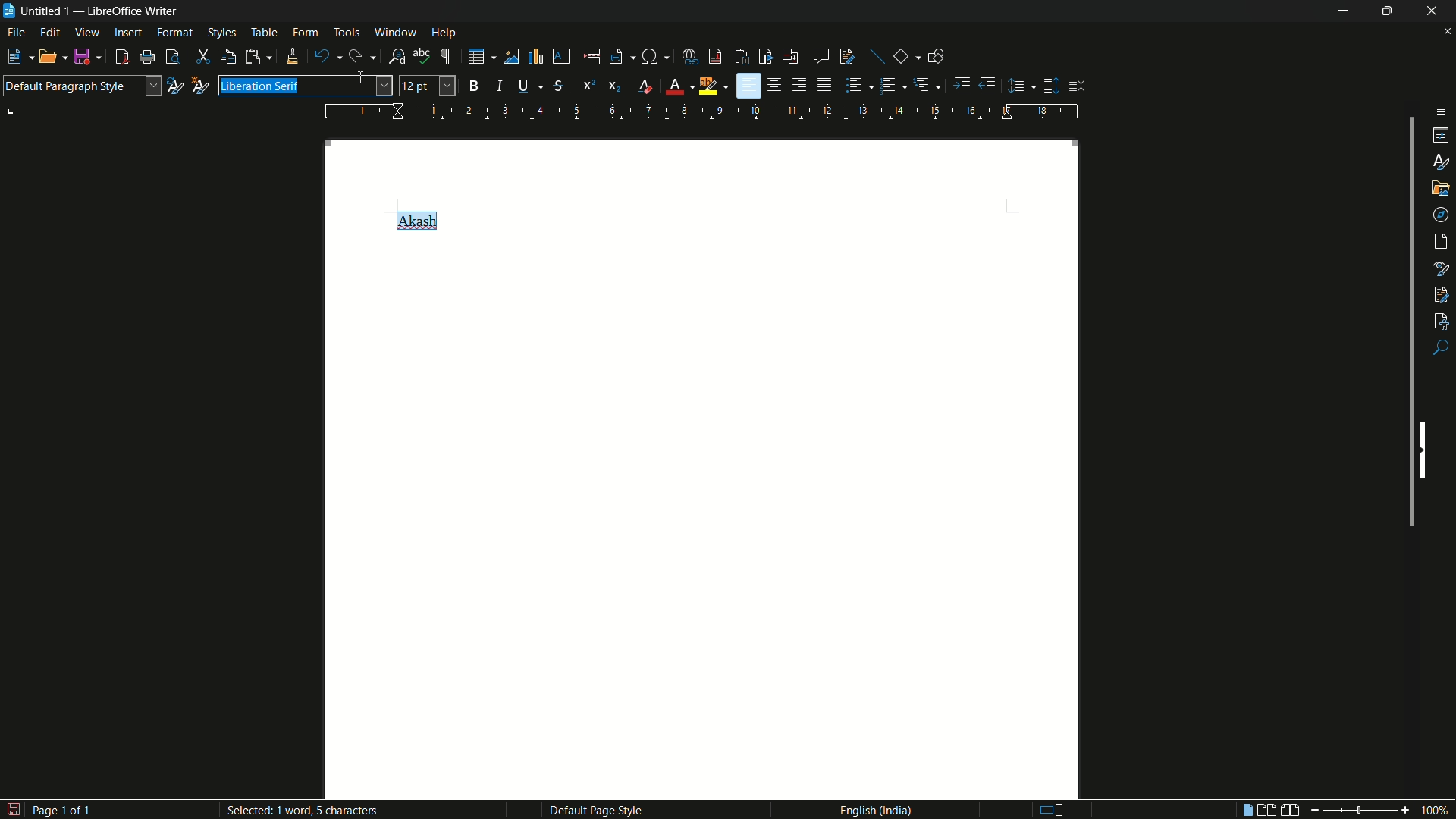 This screenshot has height=819, width=1456. What do you see at coordinates (650, 58) in the screenshot?
I see `insert special characters` at bounding box center [650, 58].